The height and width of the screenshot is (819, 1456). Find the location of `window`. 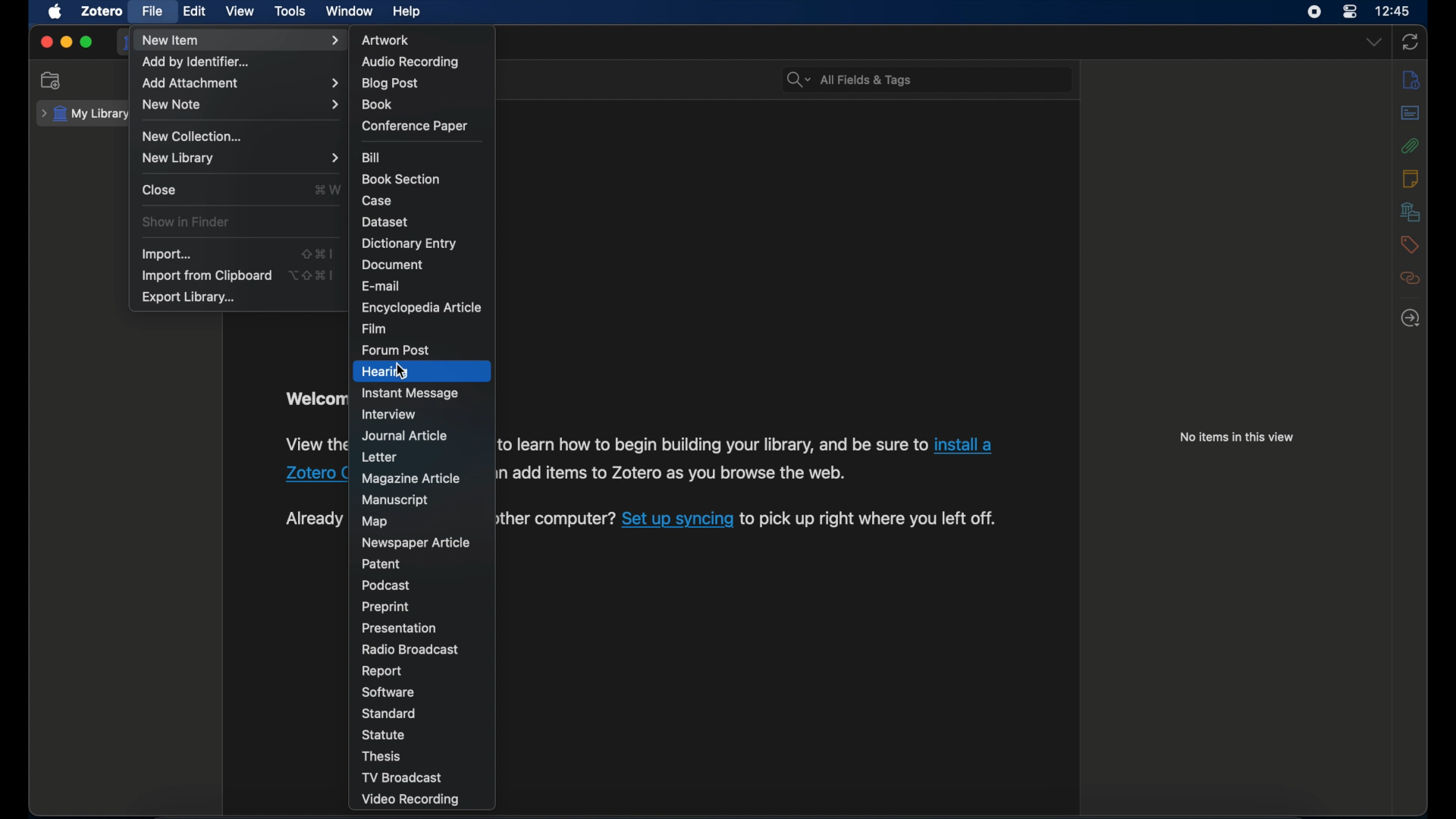

window is located at coordinates (350, 11).